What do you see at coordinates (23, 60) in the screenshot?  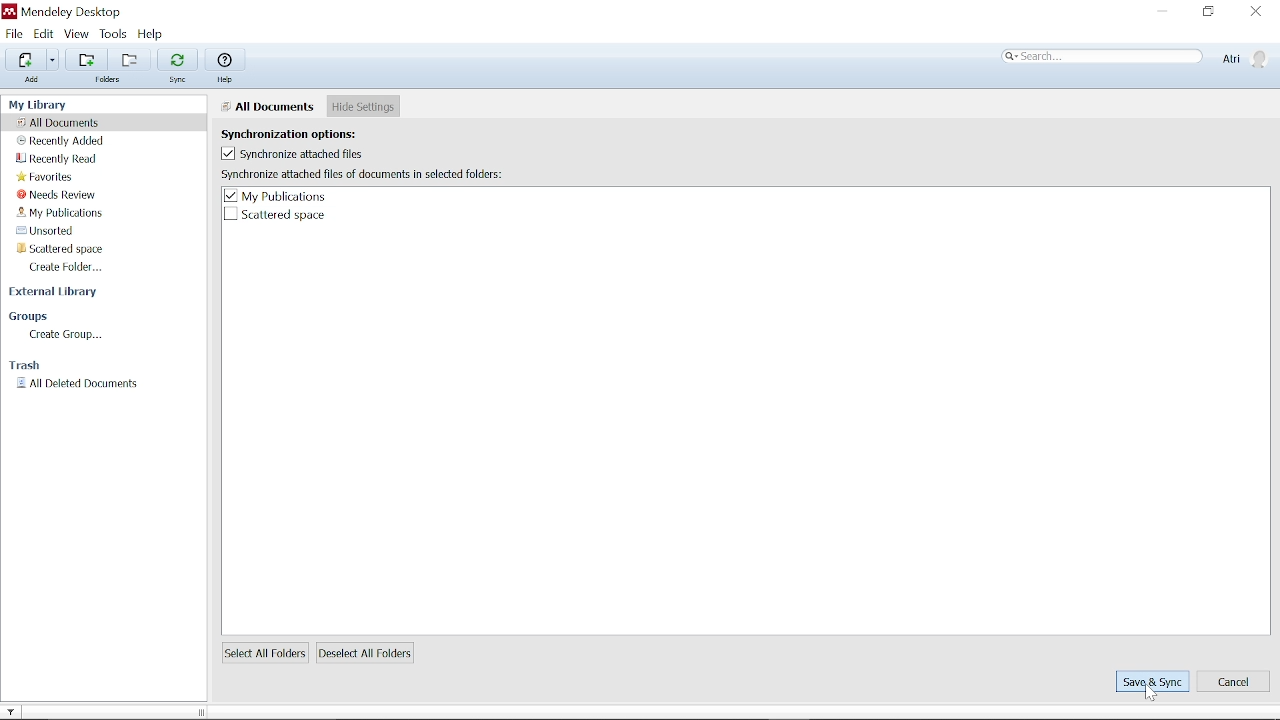 I see `Add files` at bounding box center [23, 60].